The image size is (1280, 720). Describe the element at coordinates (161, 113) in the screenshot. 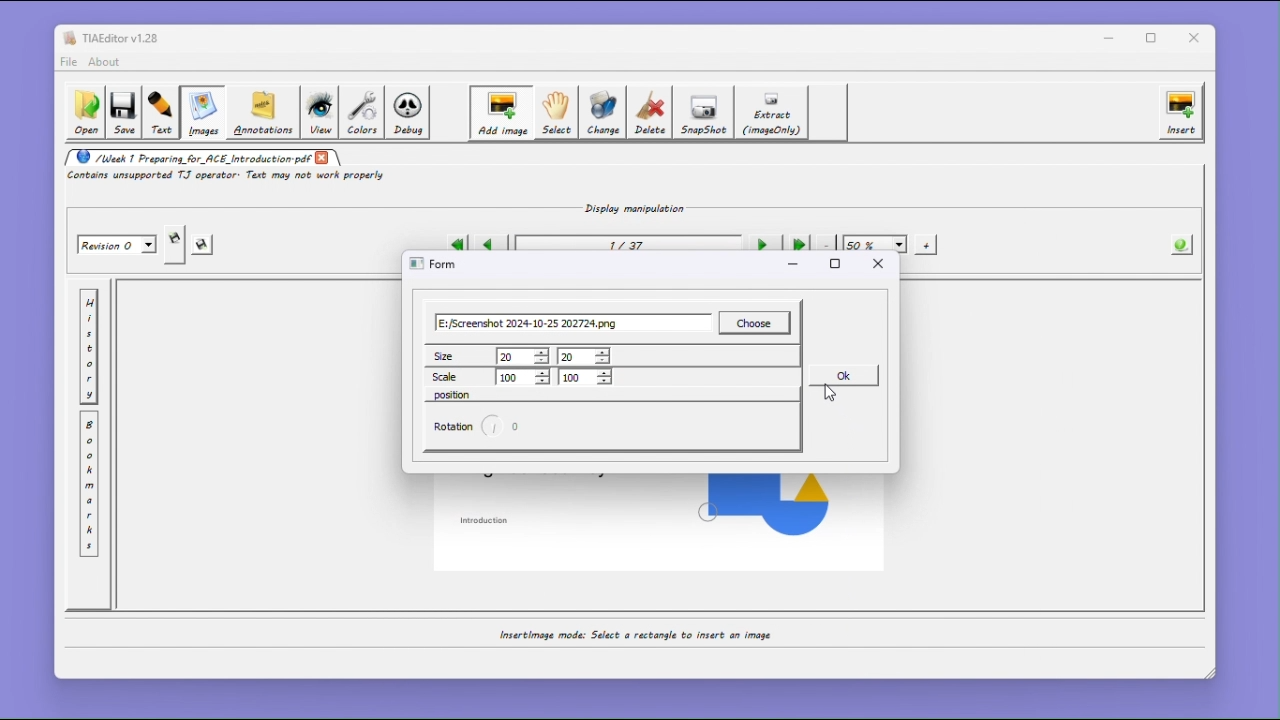

I see `Text` at that location.